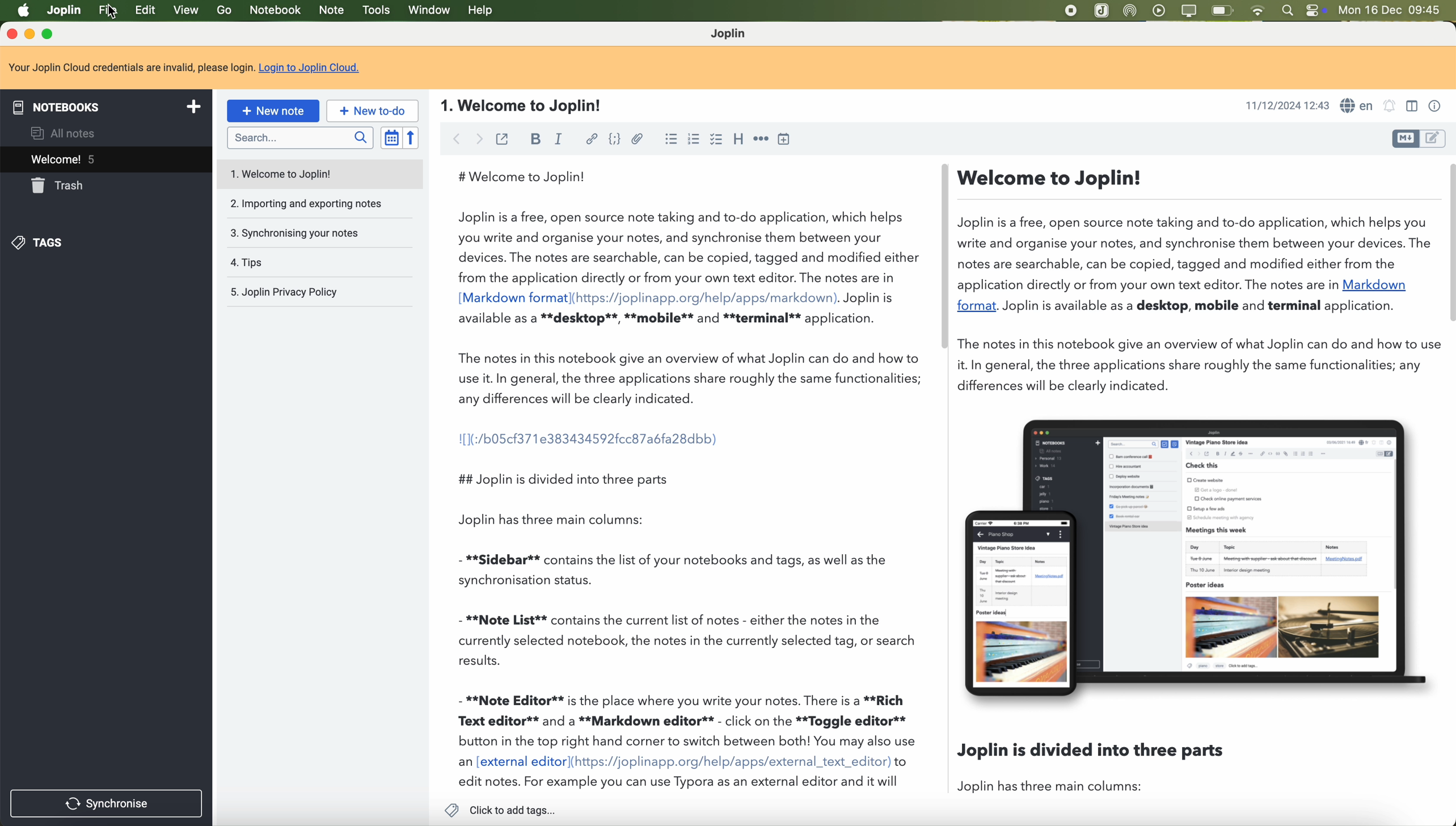 This screenshot has height=826, width=1456. Describe the element at coordinates (224, 11) in the screenshot. I see `go` at that location.